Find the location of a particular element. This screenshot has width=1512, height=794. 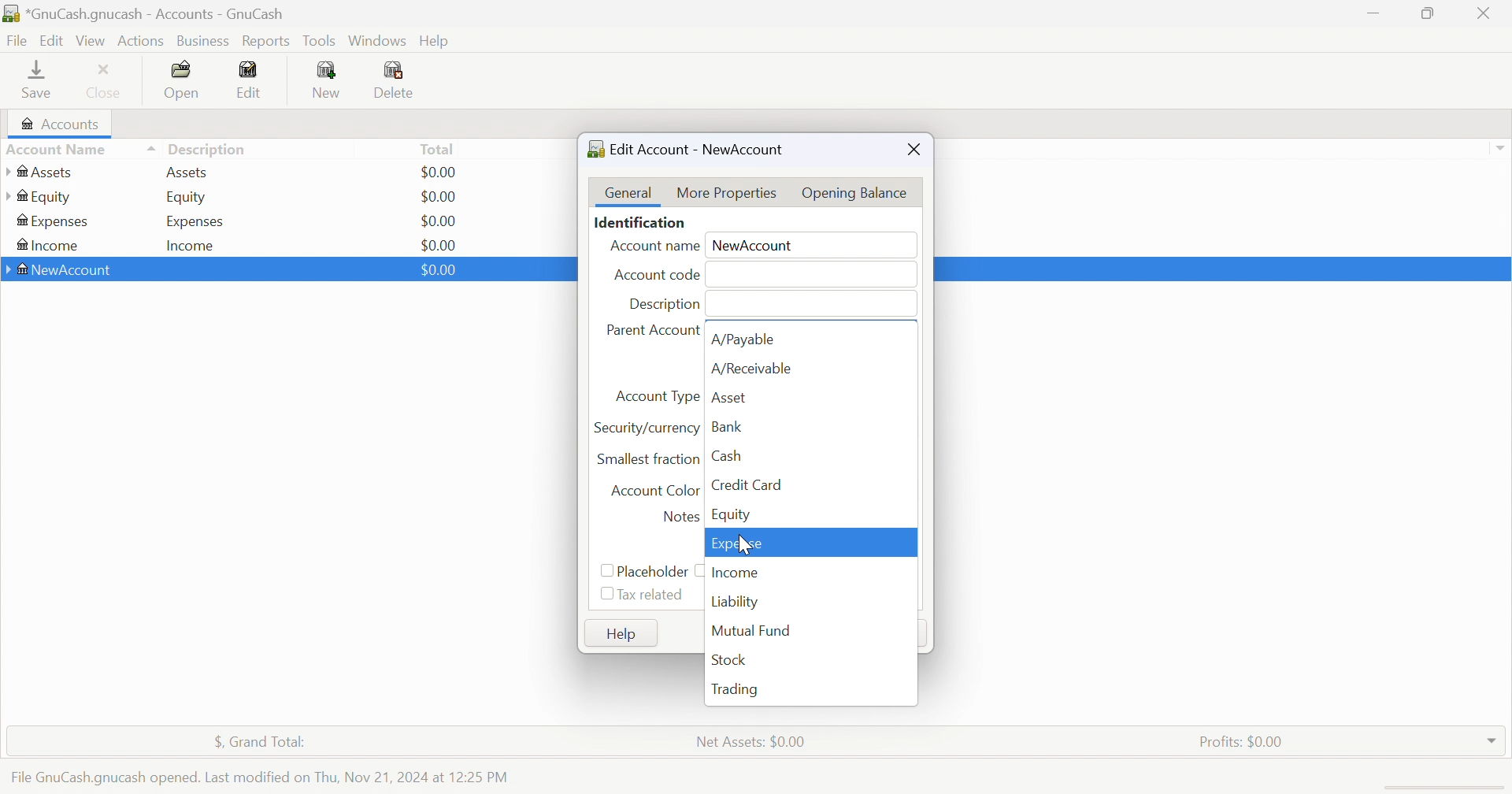

Account Name is located at coordinates (80, 150).